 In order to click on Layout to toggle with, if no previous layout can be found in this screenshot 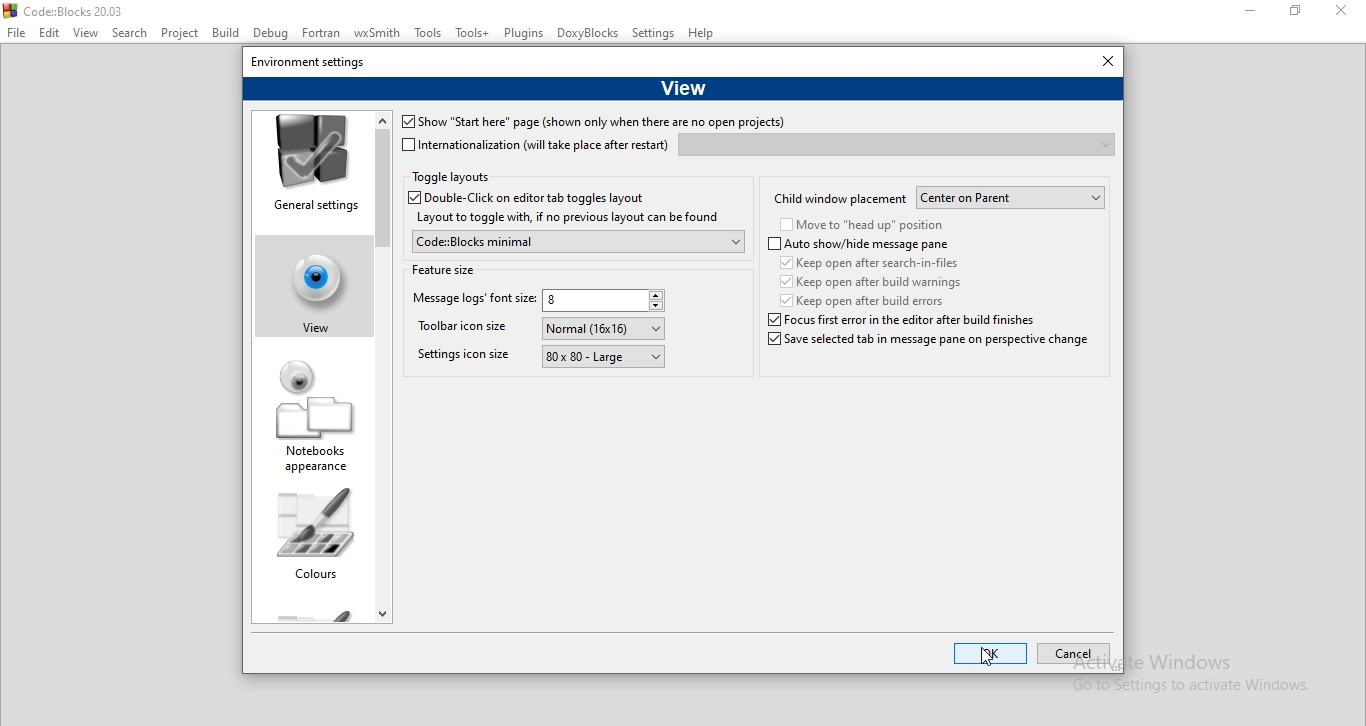, I will do `click(566, 218)`.